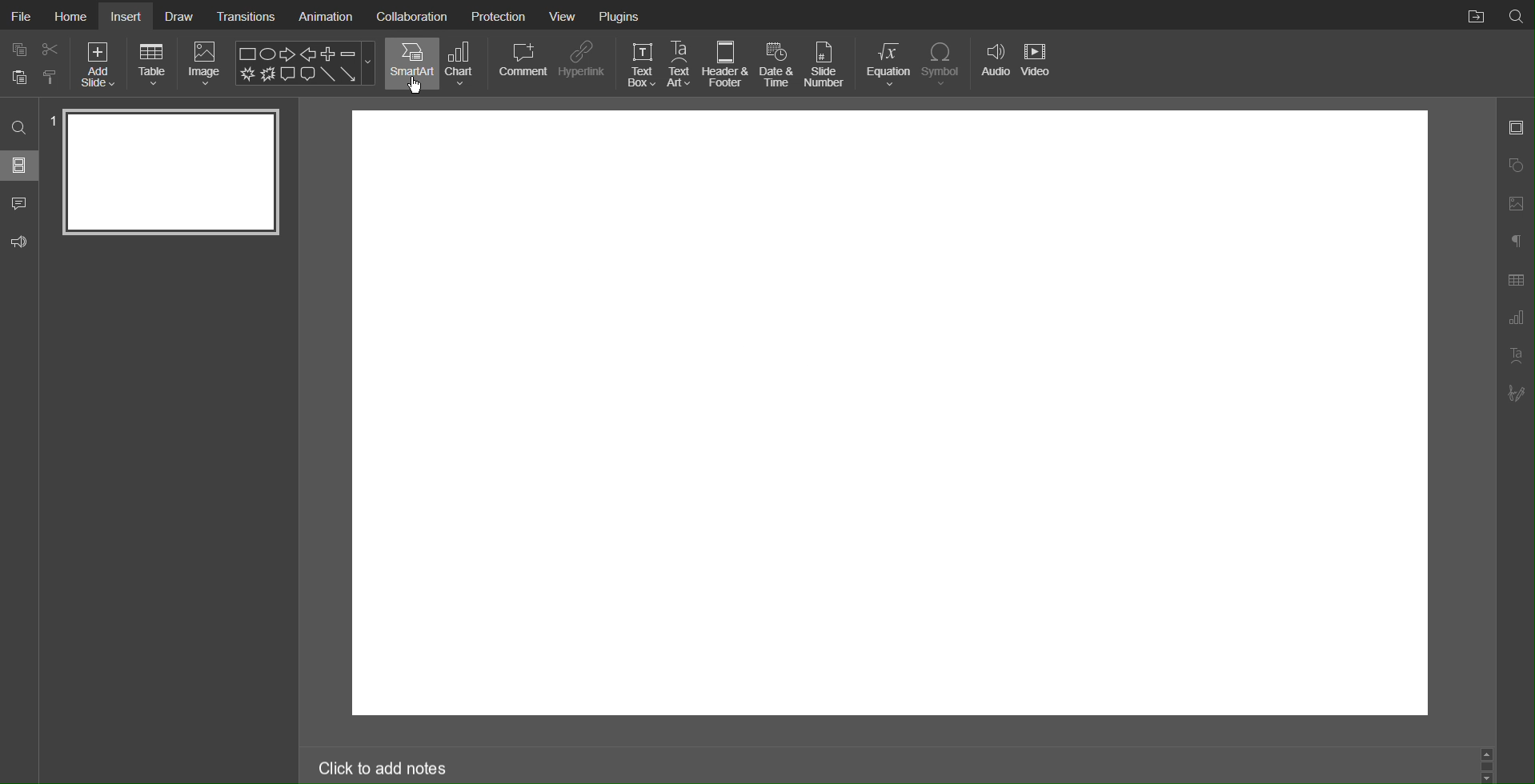 The height and width of the screenshot is (784, 1535). Describe the element at coordinates (889, 66) in the screenshot. I see `Equation` at that location.